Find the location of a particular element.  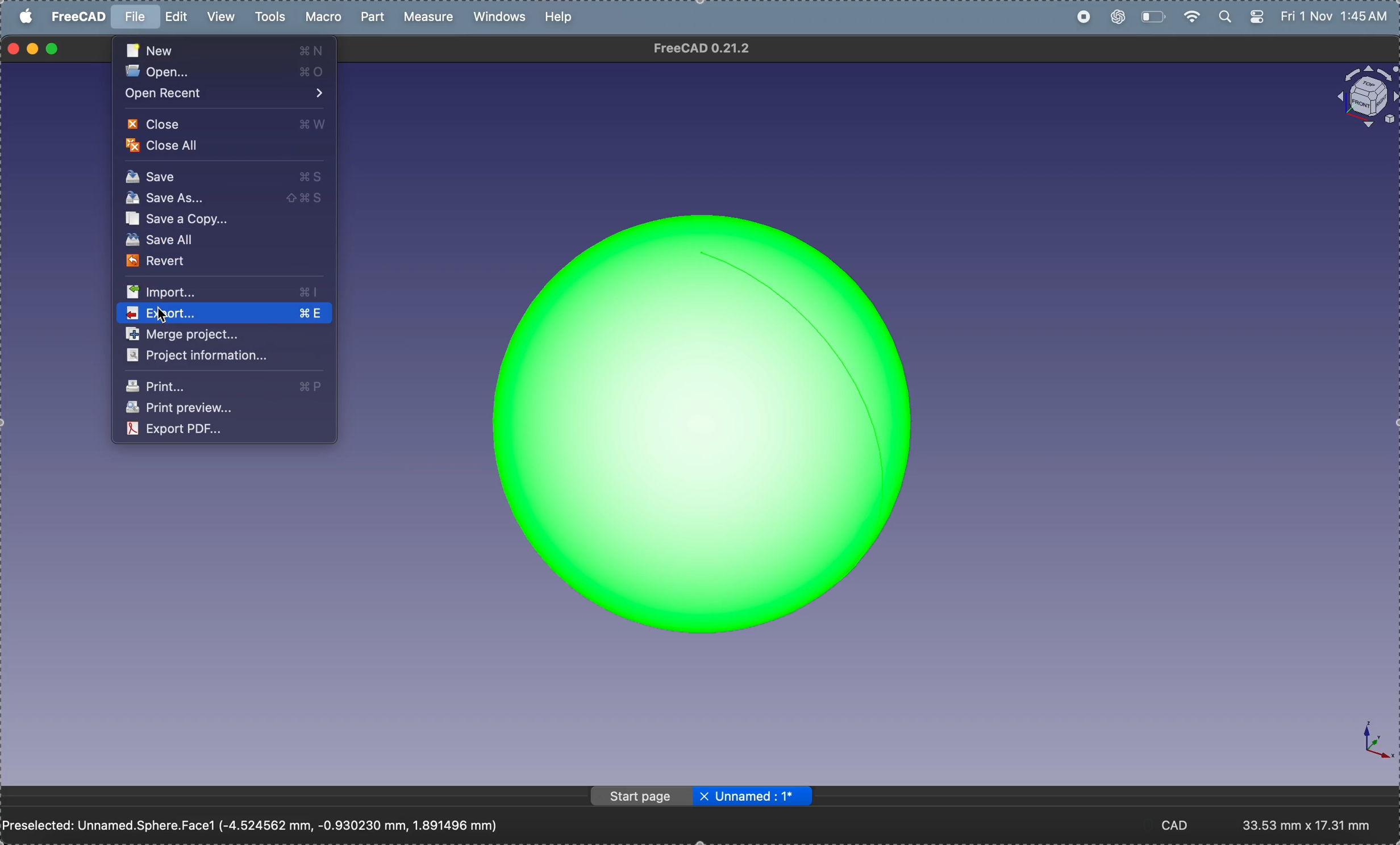

Preselected: Unnamed.Sphere.Face1 (-4.524562 mm, -0.930230 mm, 1.891496 mm) is located at coordinates (260, 822).